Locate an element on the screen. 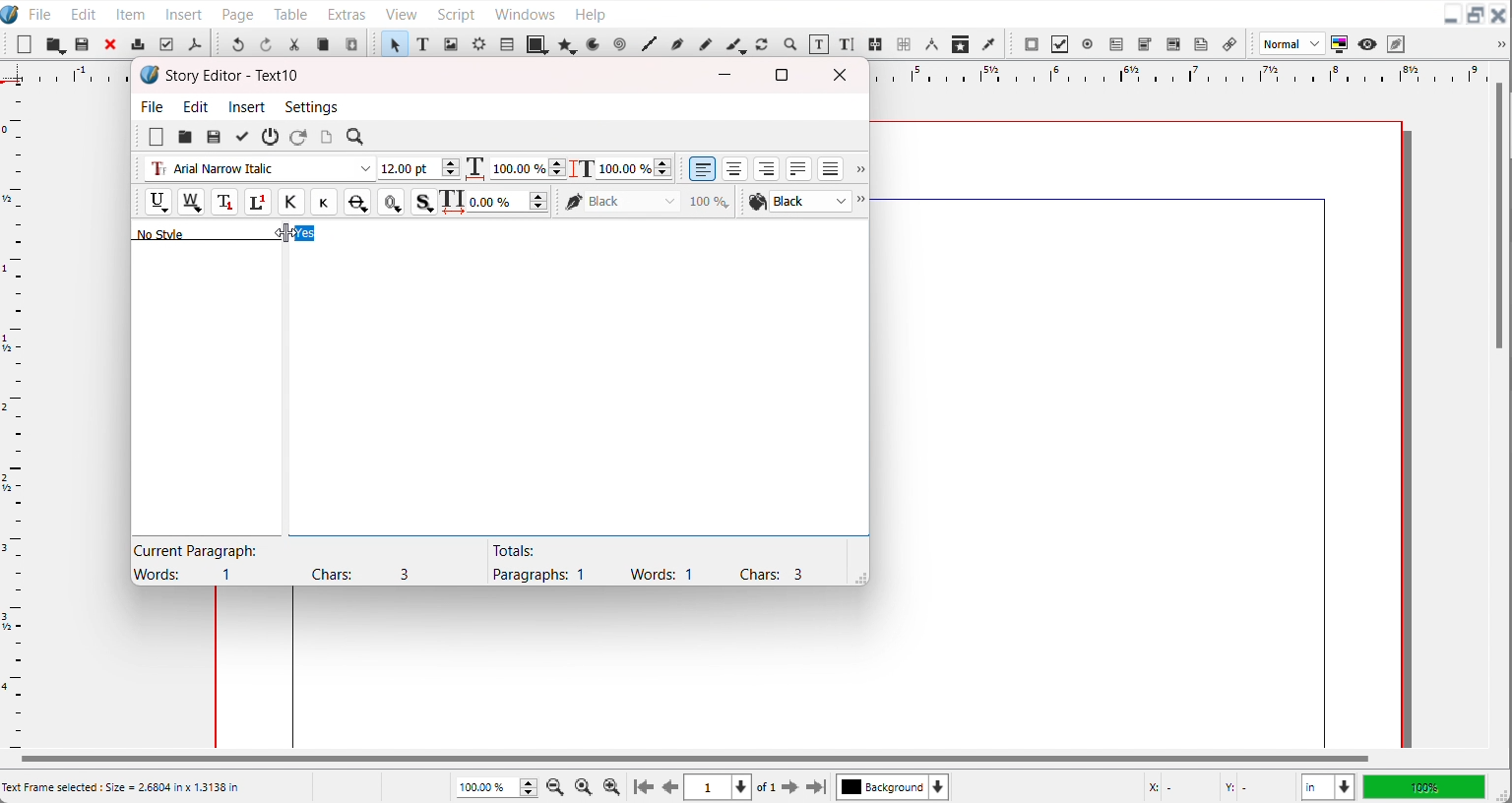  Script is located at coordinates (458, 13).